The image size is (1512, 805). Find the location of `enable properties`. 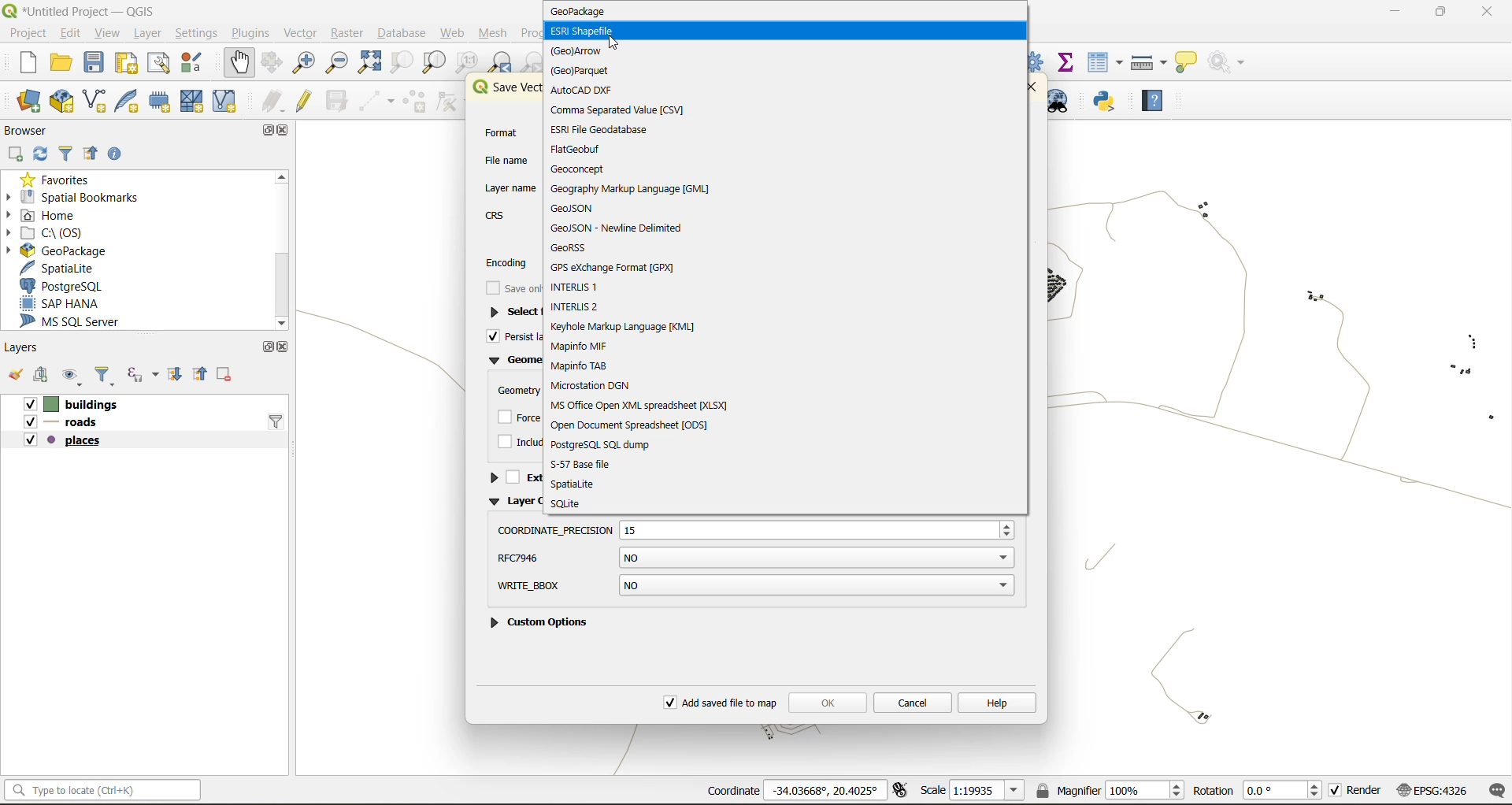

enable properties is located at coordinates (115, 154).